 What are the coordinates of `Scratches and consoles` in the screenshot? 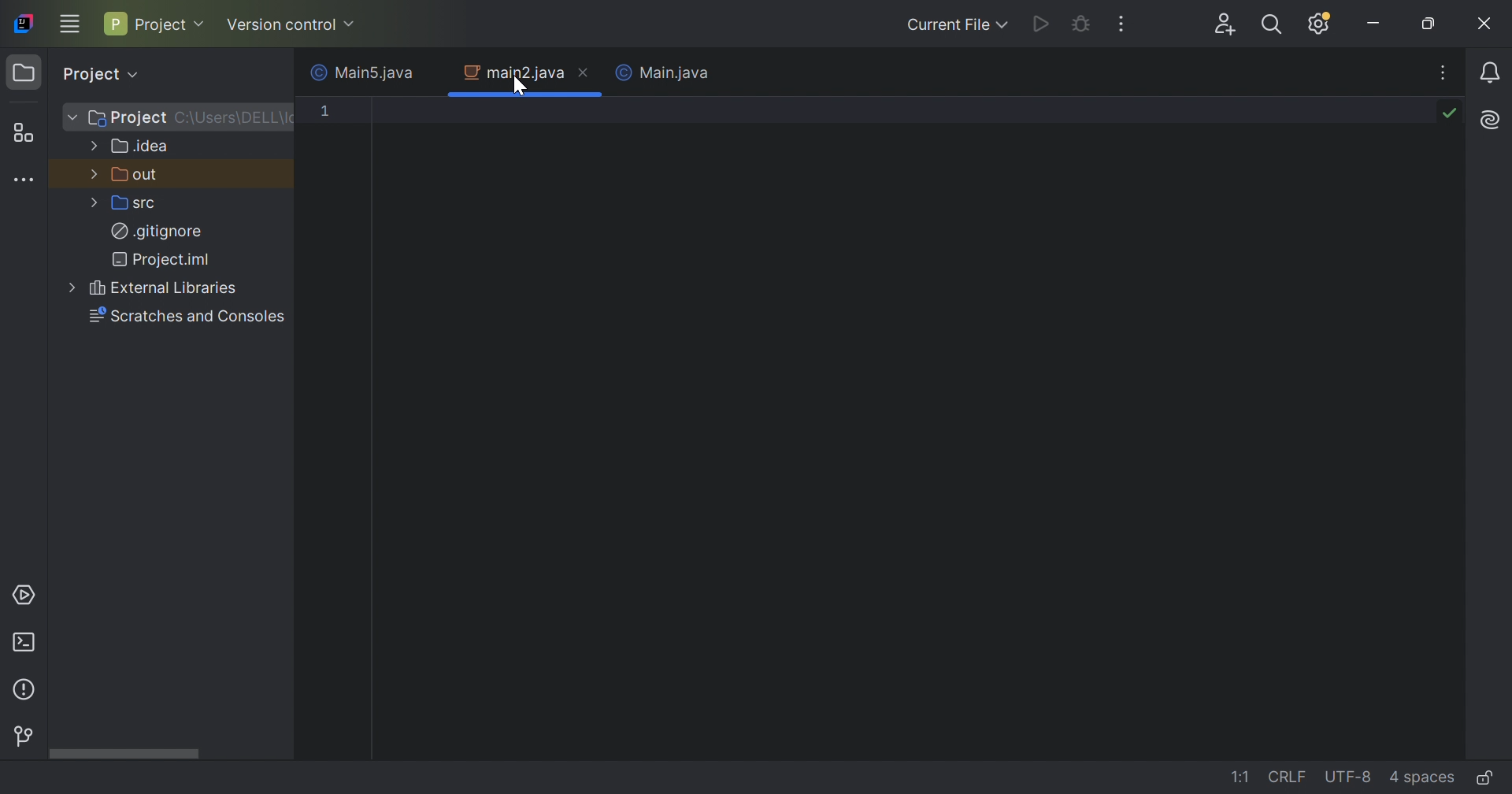 It's located at (190, 316).